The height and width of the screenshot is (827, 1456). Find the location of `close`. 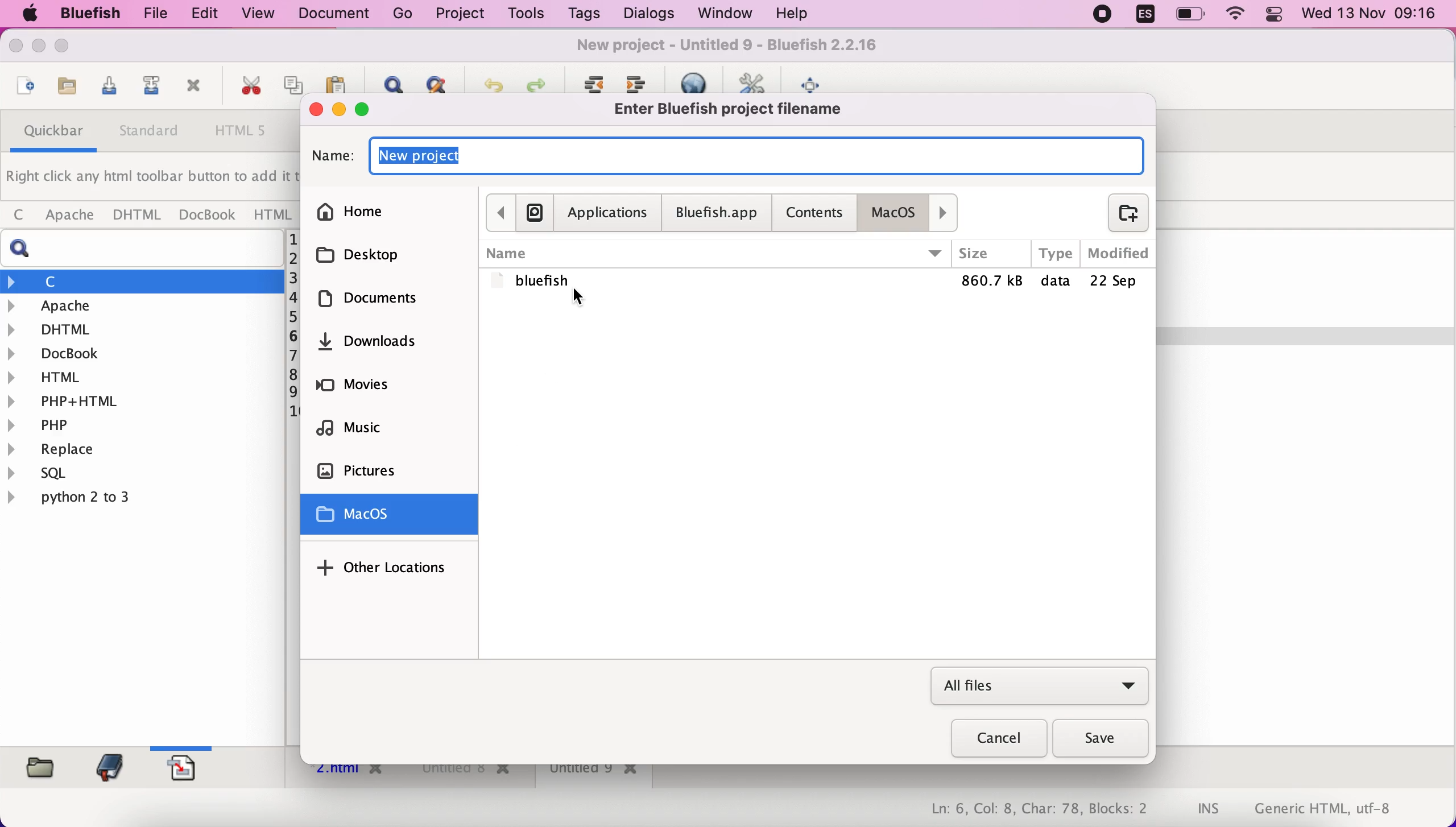

close is located at coordinates (19, 48).